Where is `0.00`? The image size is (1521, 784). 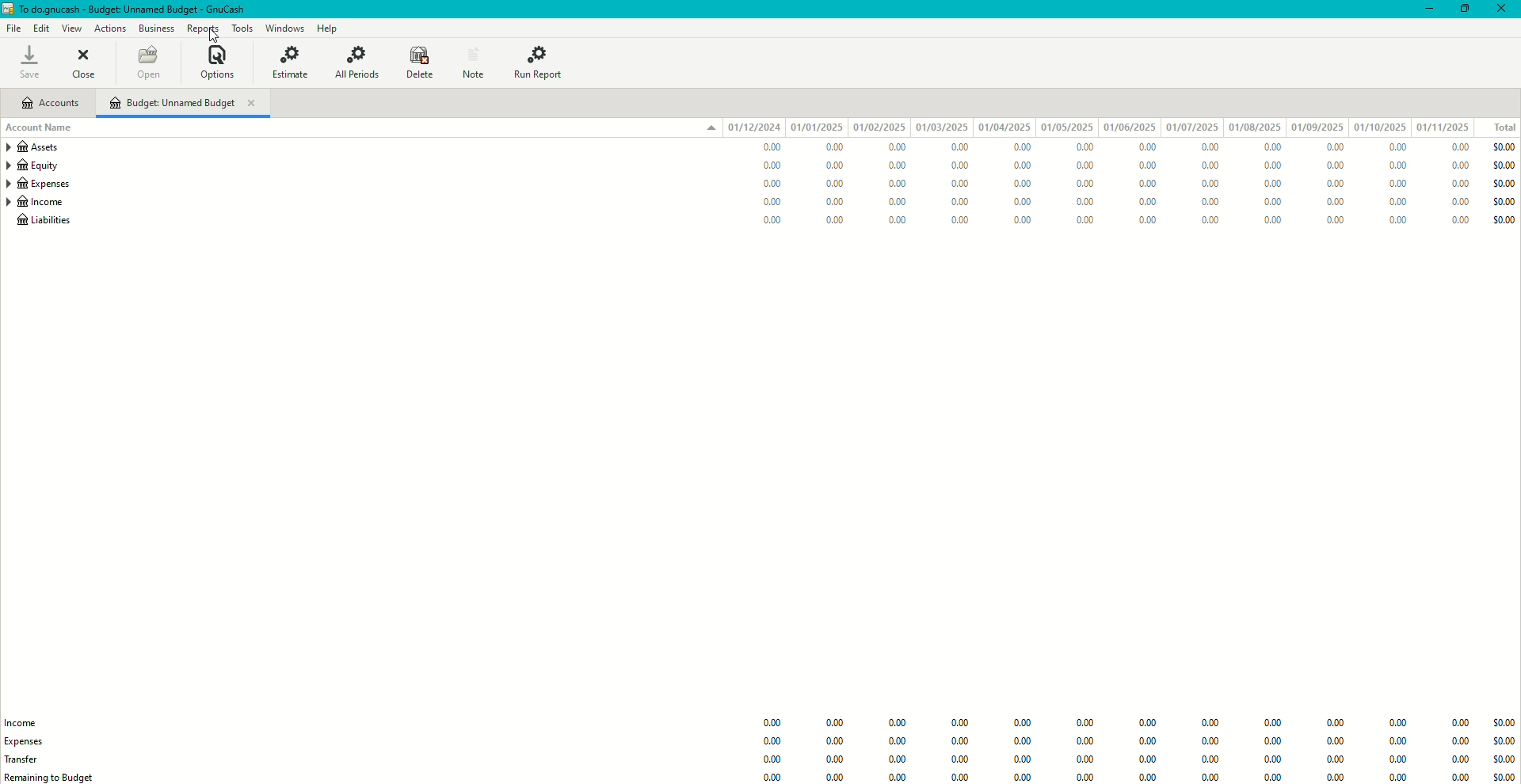 0.00 is located at coordinates (1271, 762).